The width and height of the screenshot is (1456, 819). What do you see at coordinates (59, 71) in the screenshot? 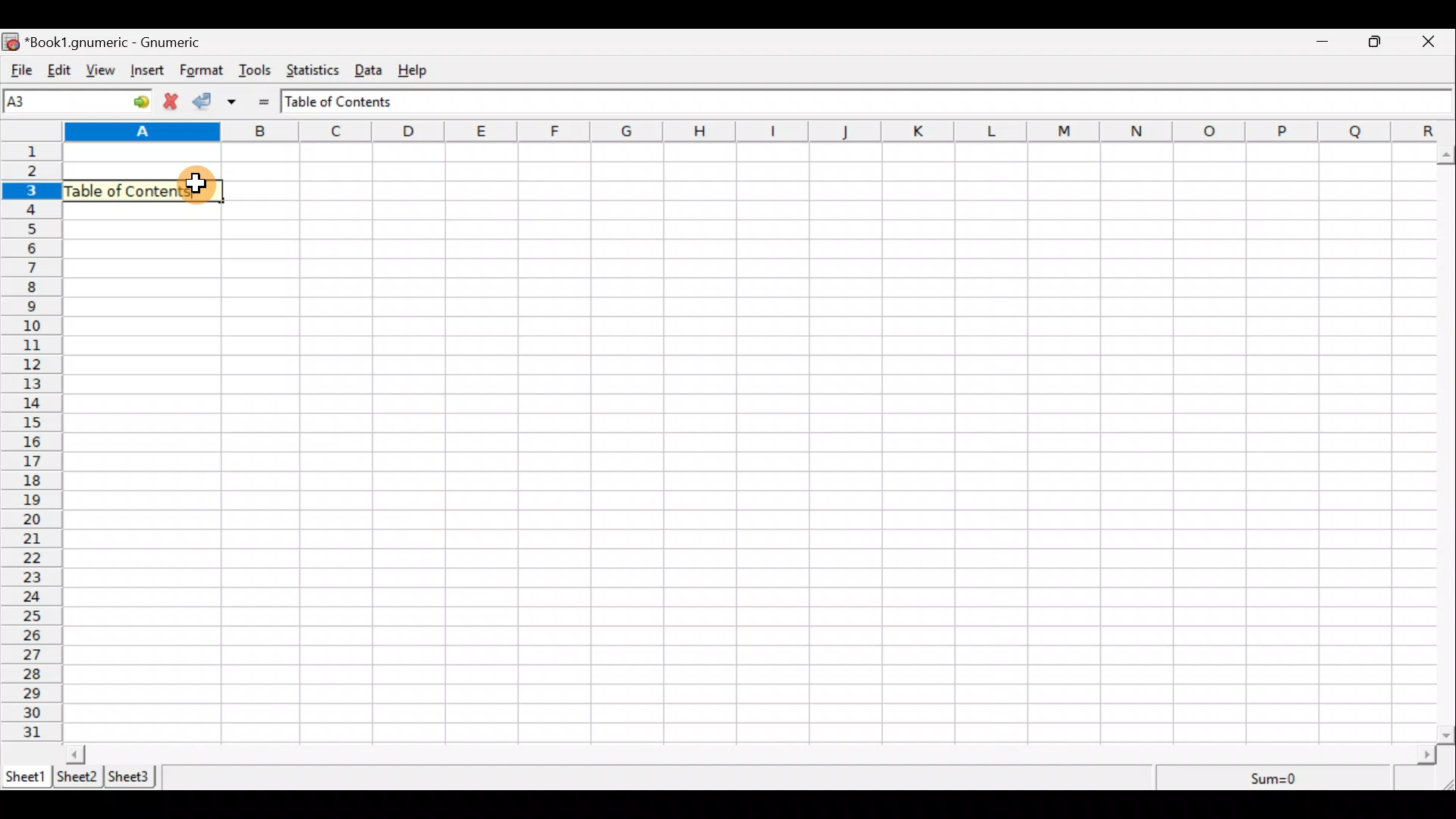
I see `Edit` at bounding box center [59, 71].